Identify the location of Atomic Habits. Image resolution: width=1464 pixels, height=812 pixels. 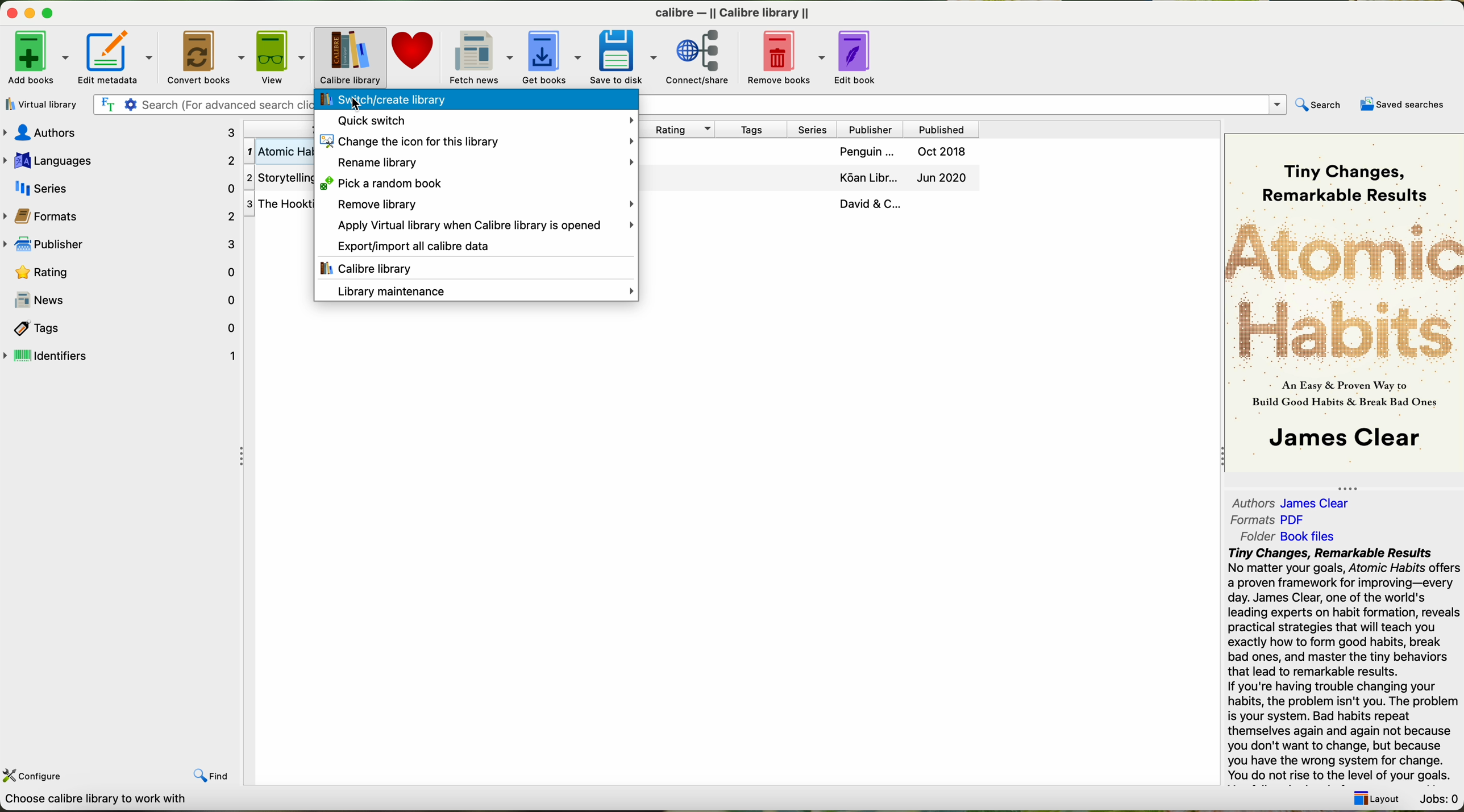
(1345, 289).